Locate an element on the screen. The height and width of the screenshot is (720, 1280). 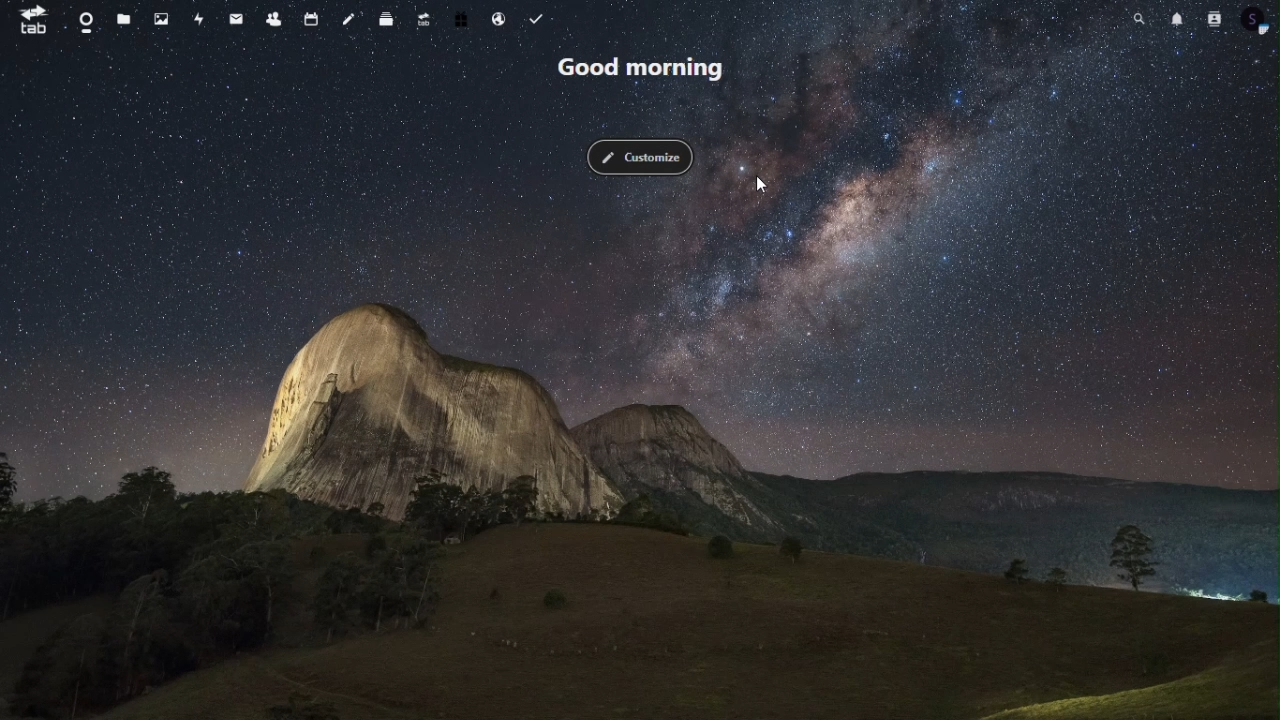
dashboard is located at coordinates (80, 19).